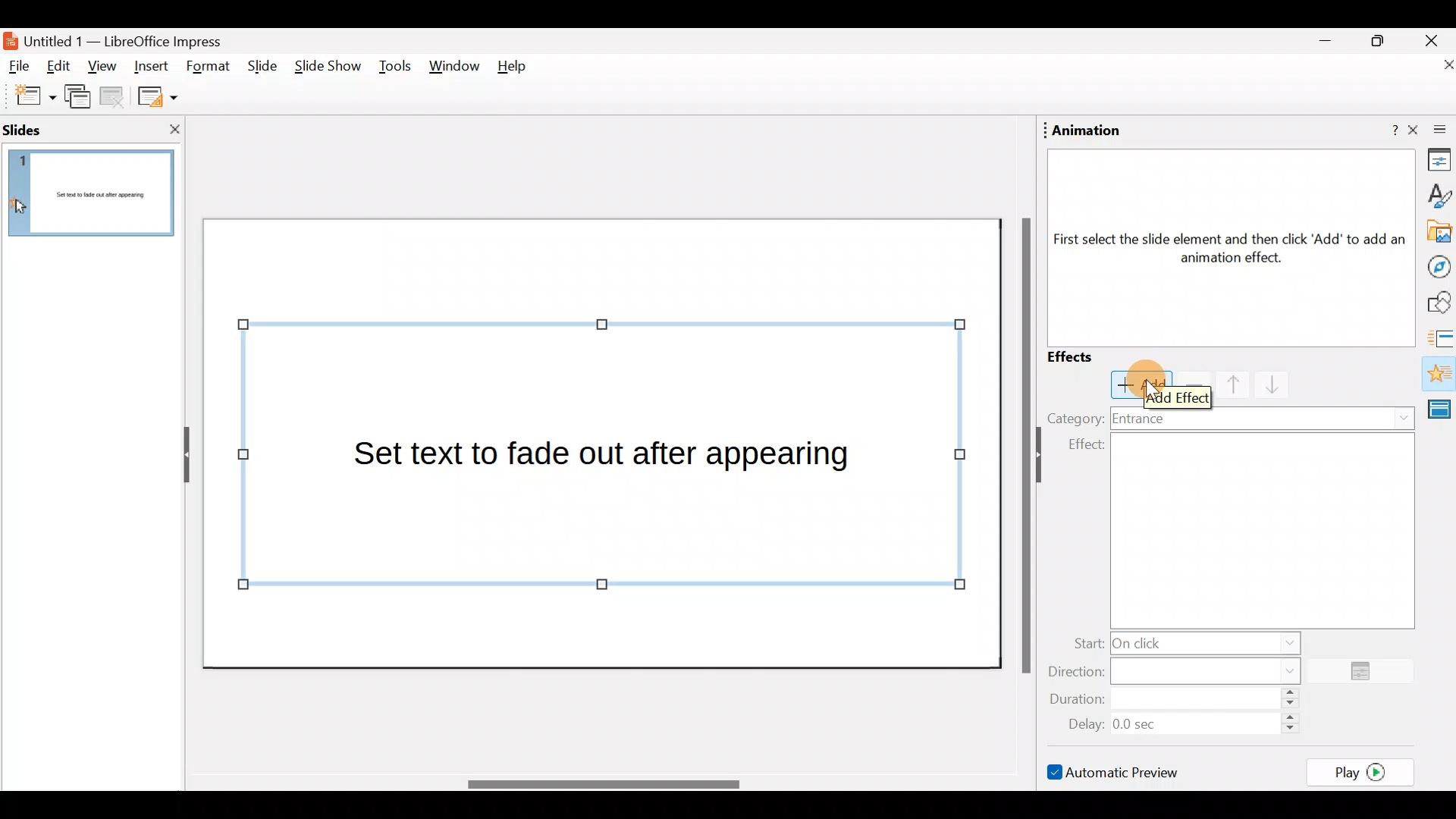 Image resolution: width=1456 pixels, height=819 pixels. Describe the element at coordinates (1437, 303) in the screenshot. I see `Shapes` at that location.